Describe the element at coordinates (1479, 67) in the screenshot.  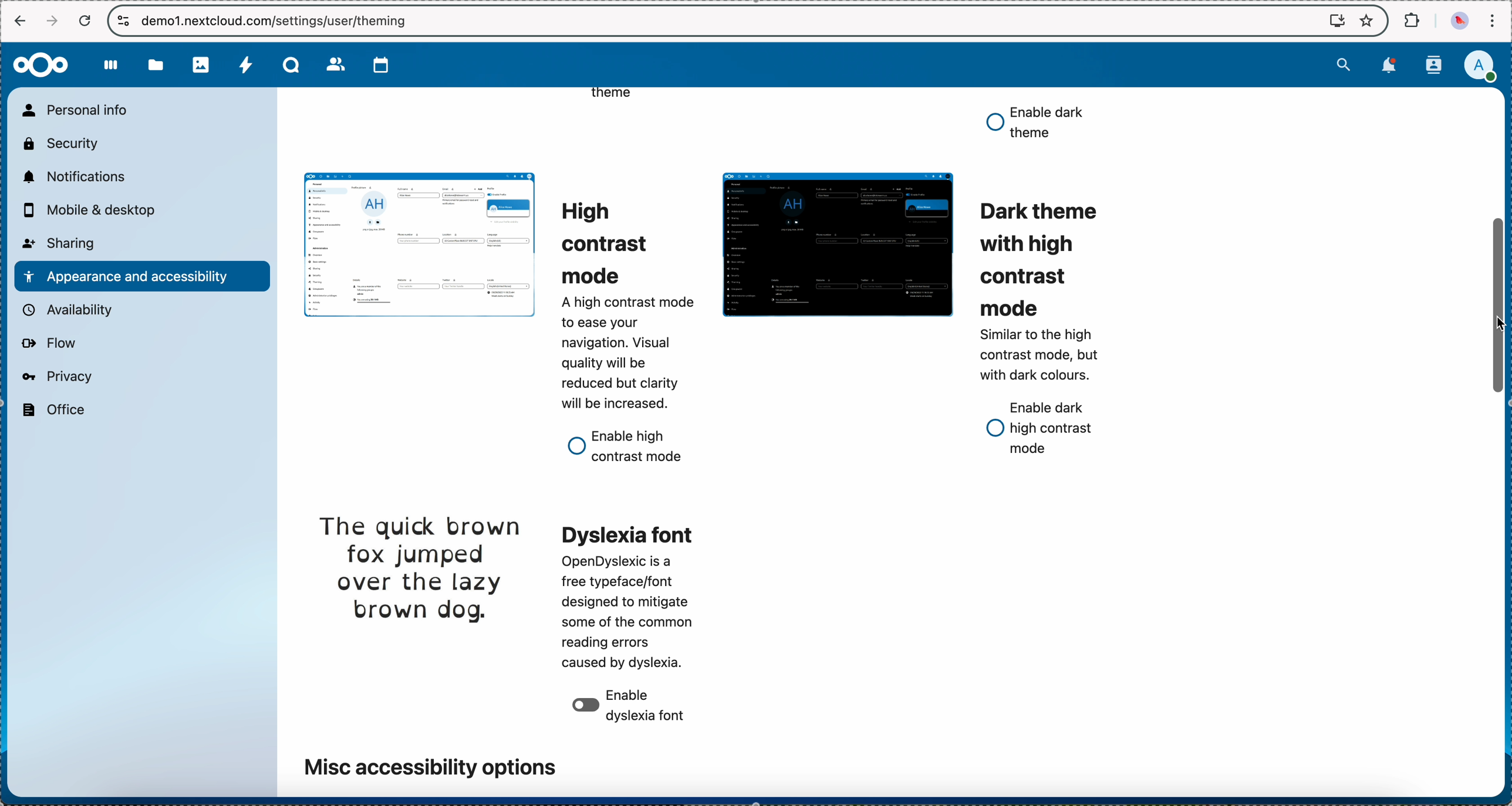
I see `click on user profile` at that location.